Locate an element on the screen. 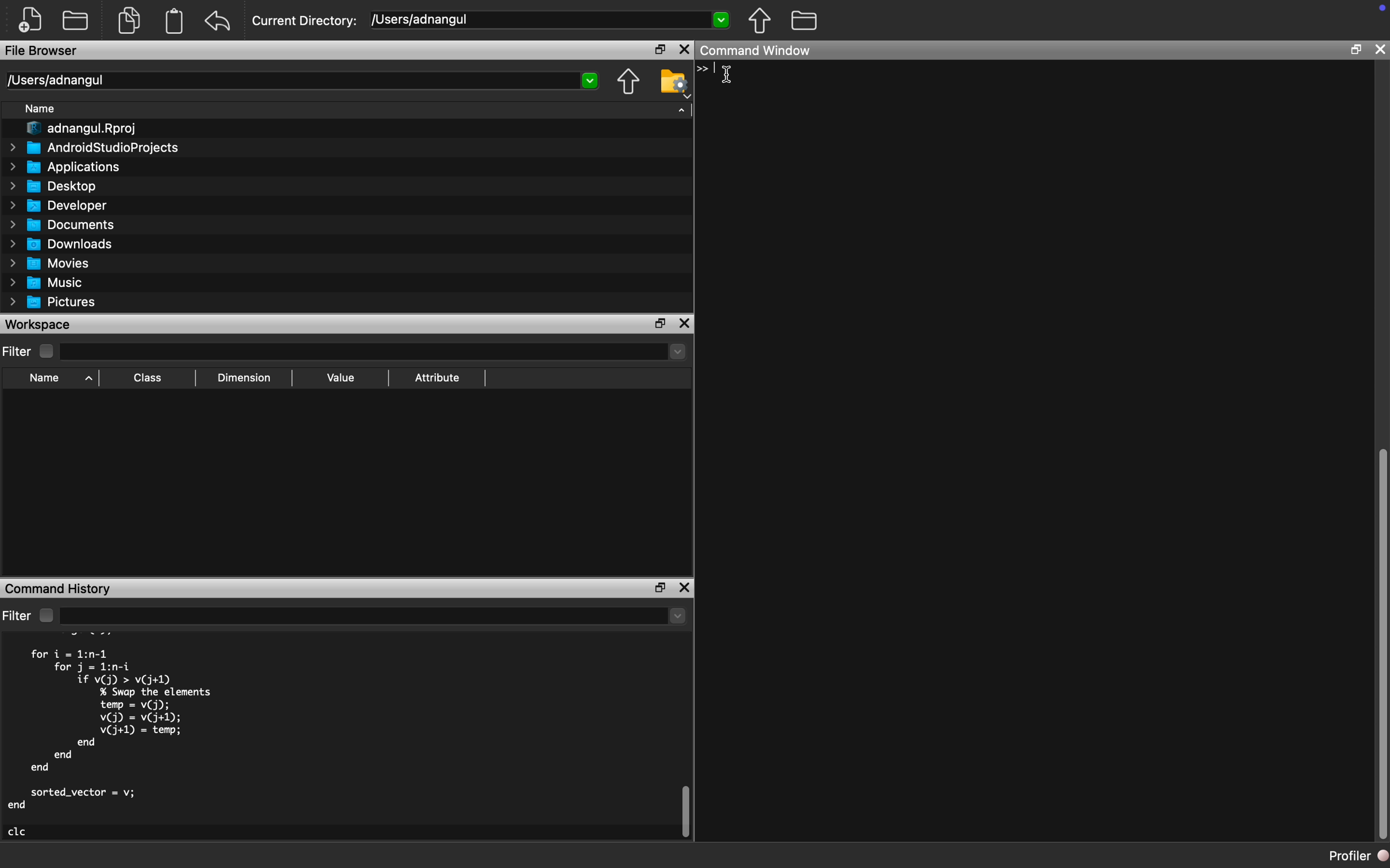  Typing Indicator is located at coordinates (711, 69).